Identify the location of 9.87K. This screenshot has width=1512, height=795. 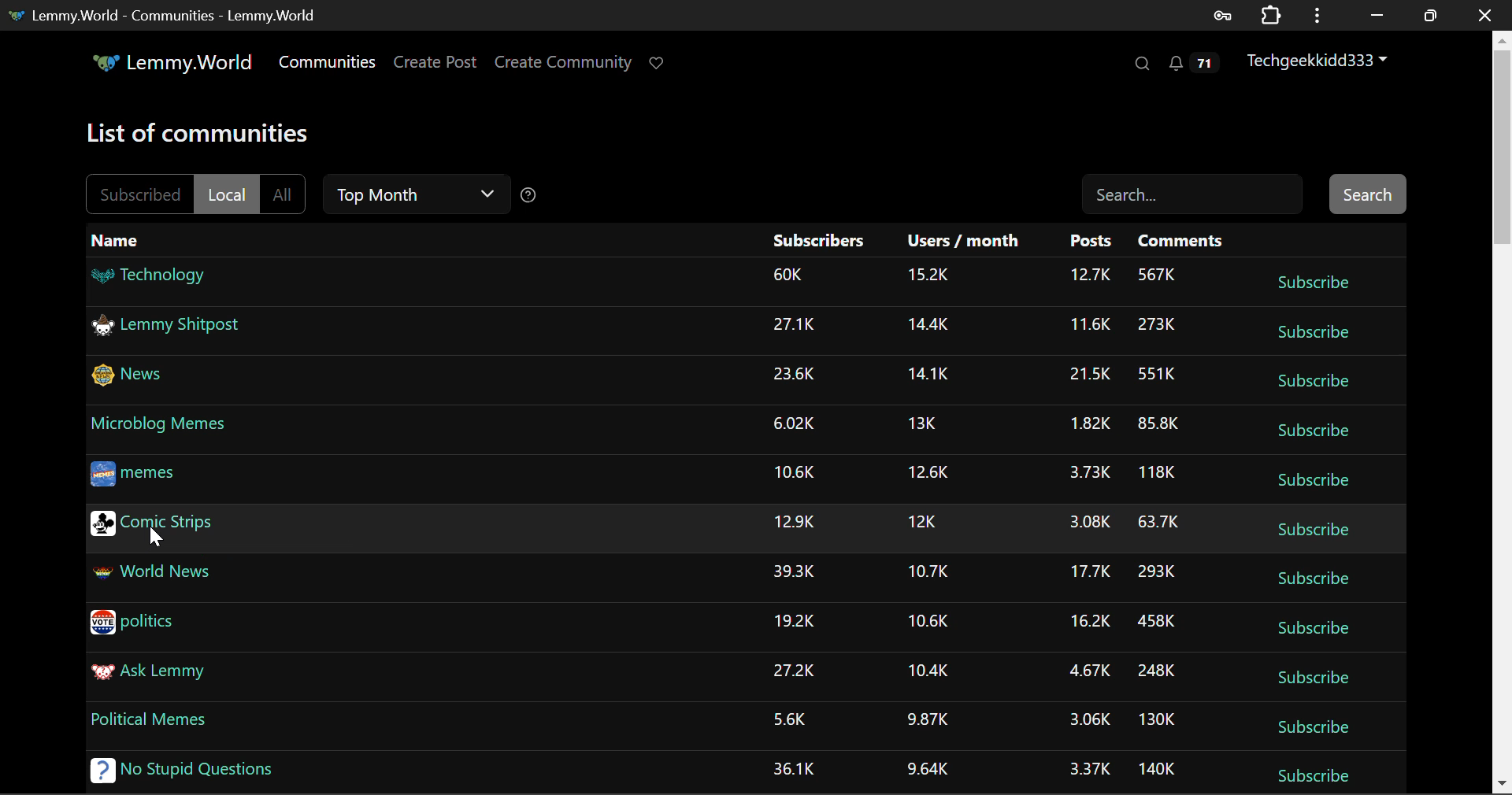
(928, 720).